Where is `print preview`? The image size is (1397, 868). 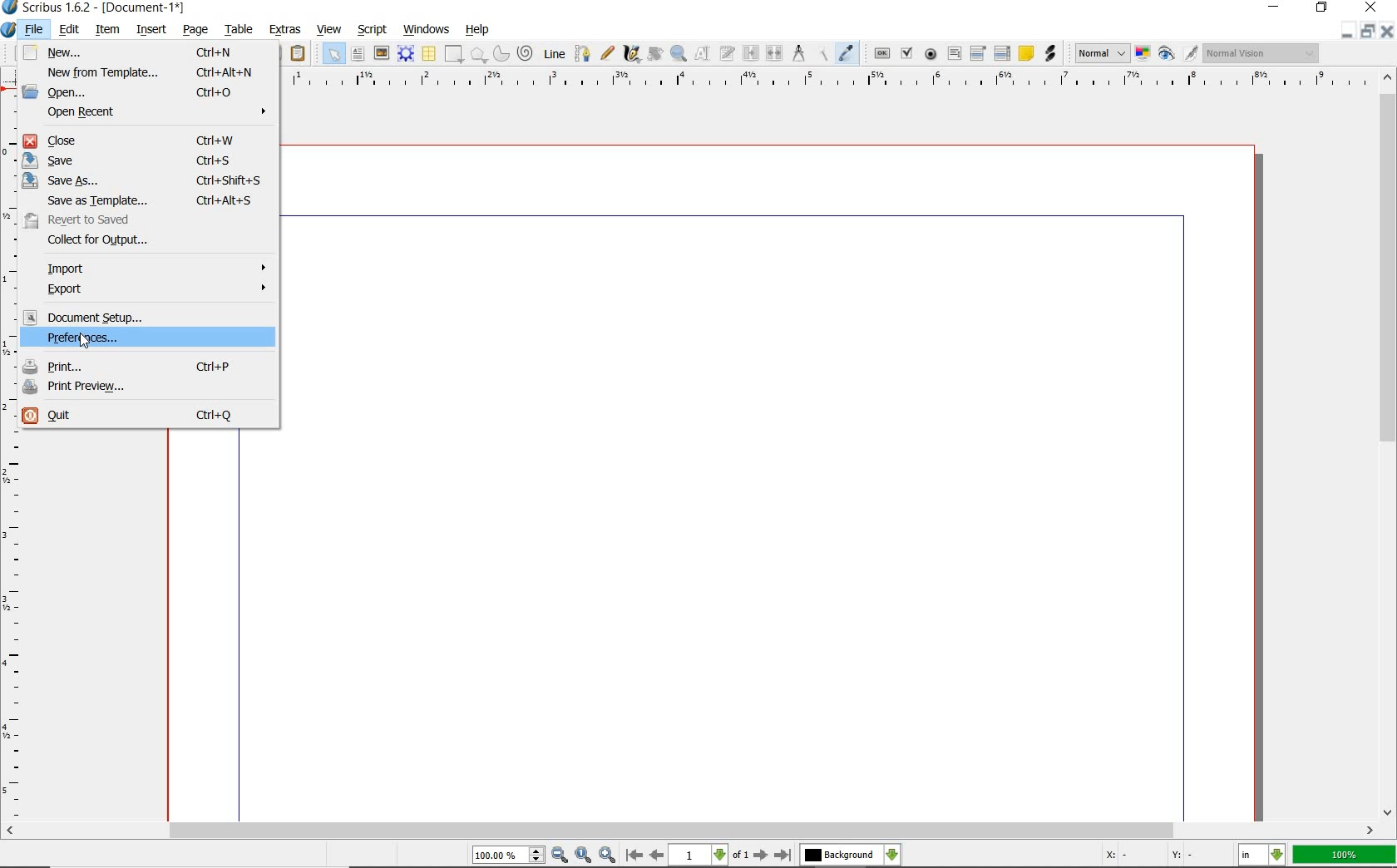 print preview is located at coordinates (150, 390).